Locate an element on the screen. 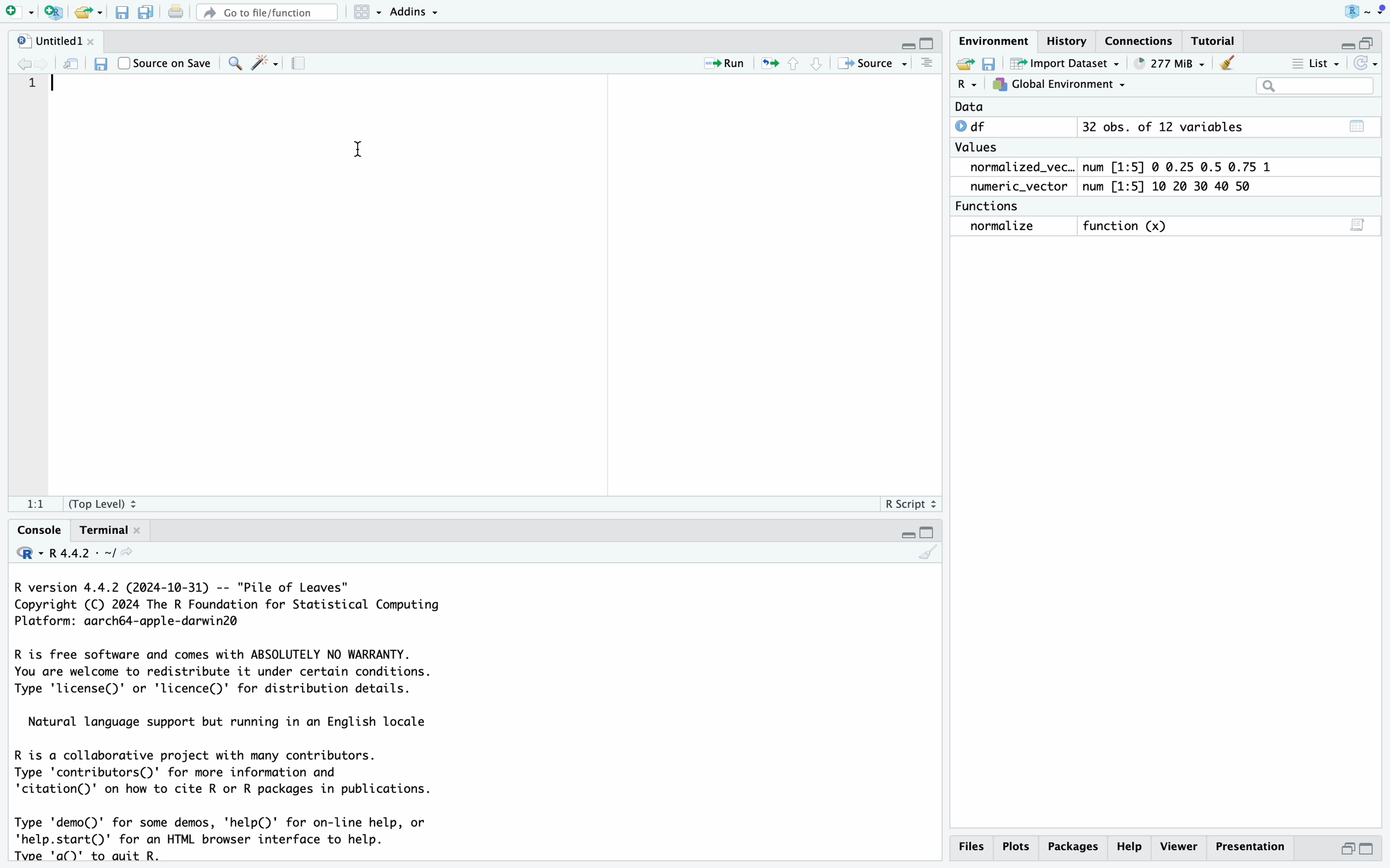 The image size is (1390, 868). R Script is located at coordinates (907, 504).